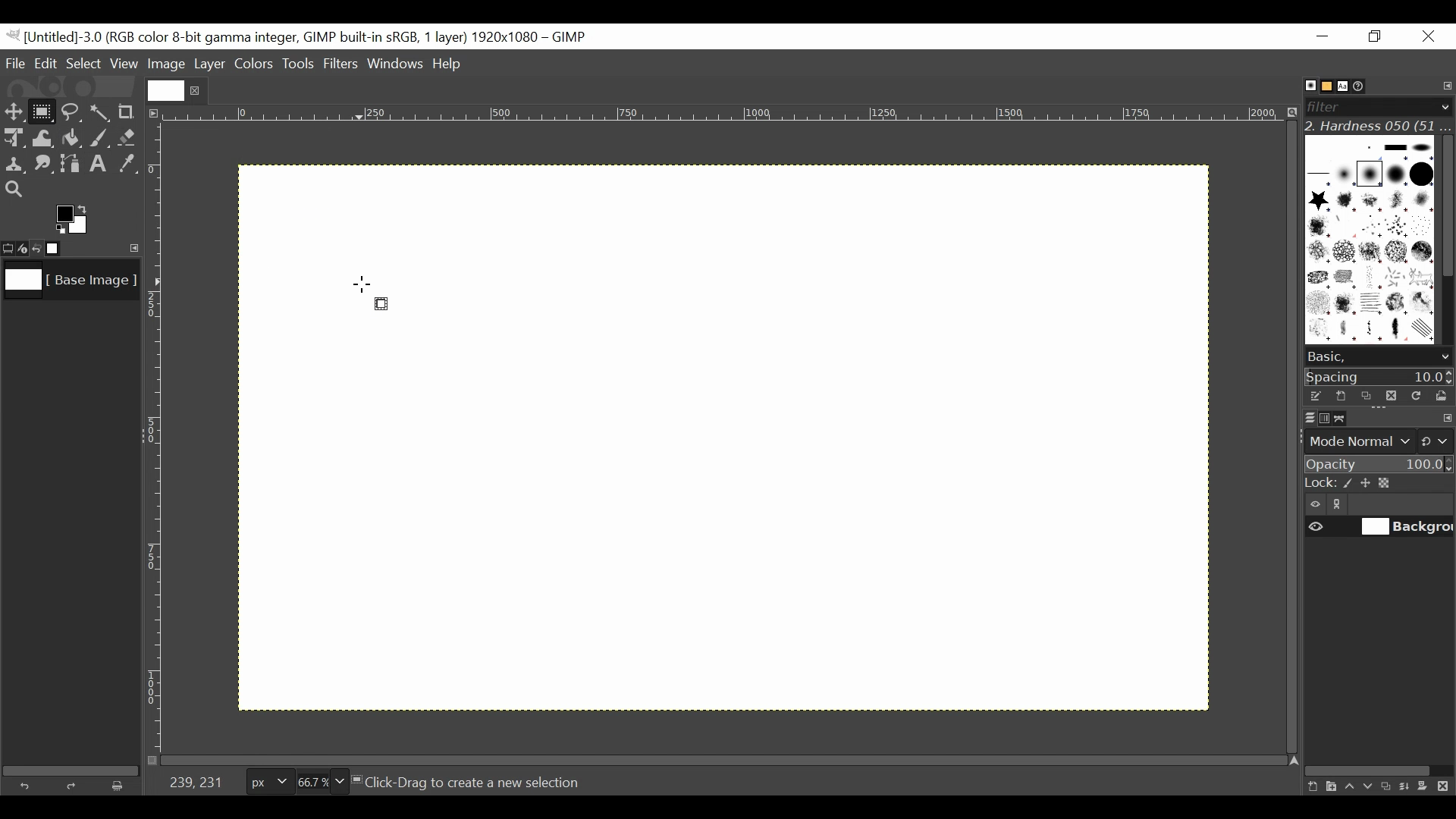  I want to click on merge the layer, so click(1408, 786).